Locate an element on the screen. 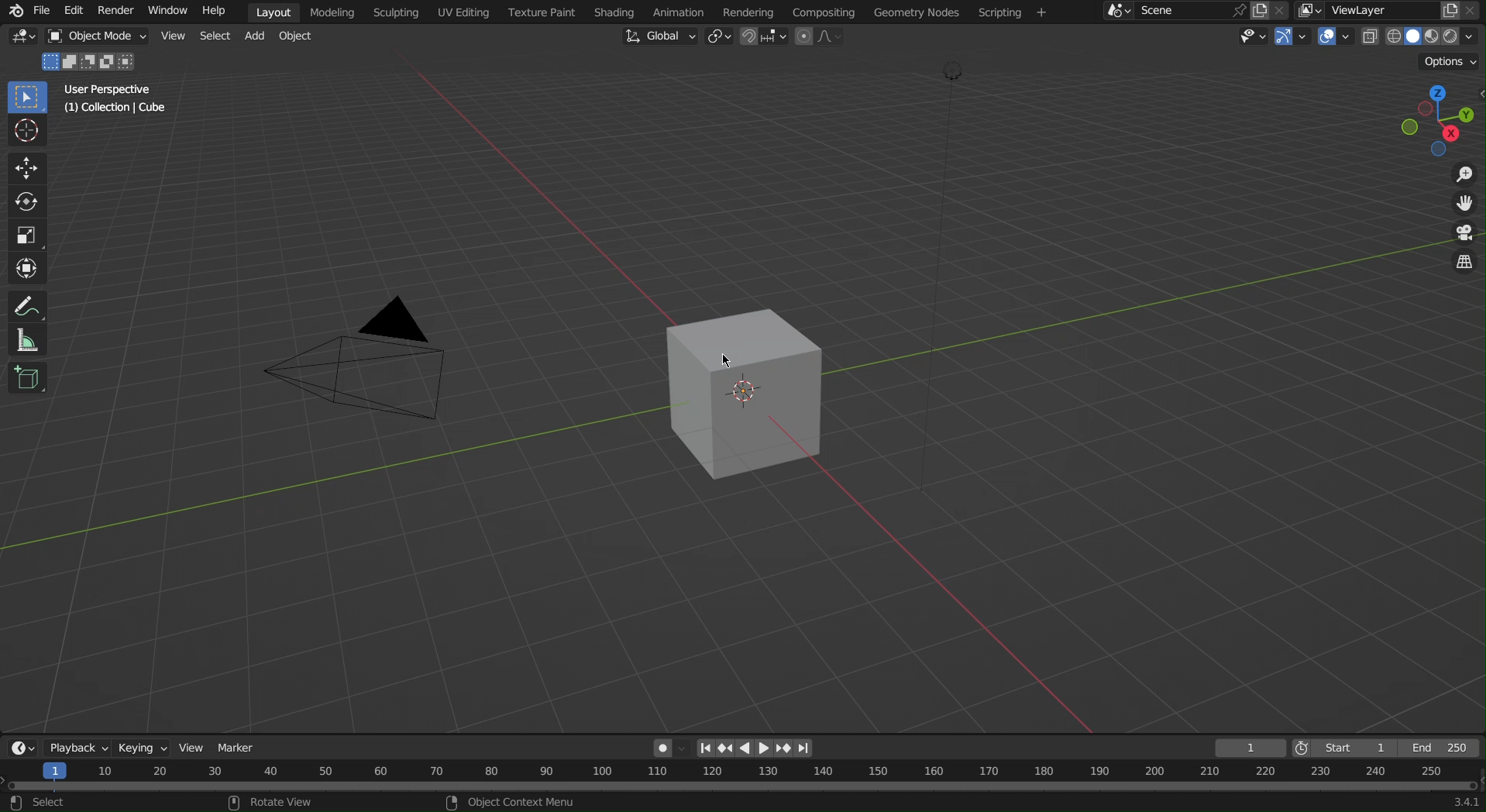 Image resolution: width=1486 pixels, height=812 pixels. Editor Types is located at coordinates (19, 748).